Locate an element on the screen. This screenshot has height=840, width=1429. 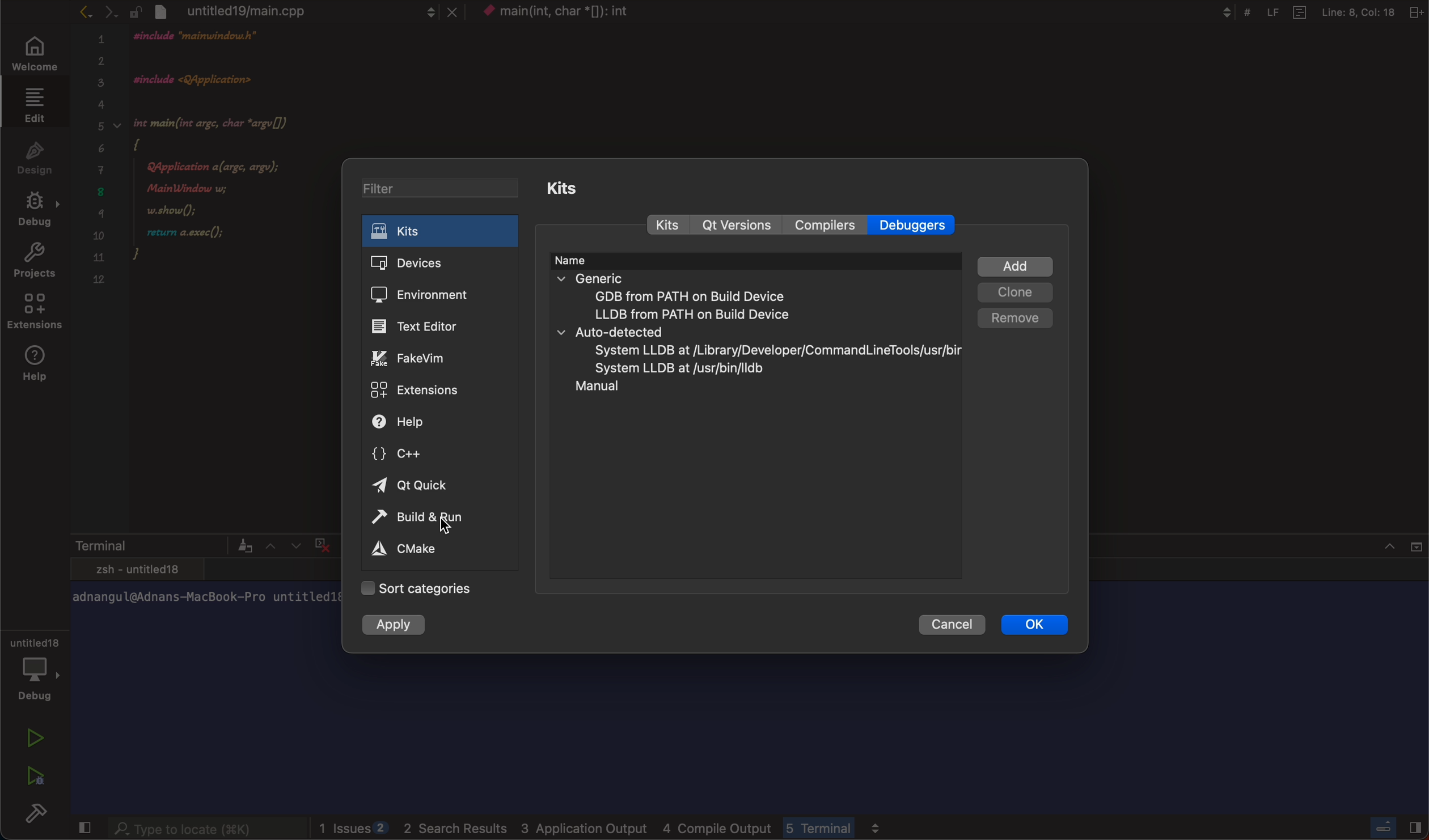
extensions is located at coordinates (419, 391).